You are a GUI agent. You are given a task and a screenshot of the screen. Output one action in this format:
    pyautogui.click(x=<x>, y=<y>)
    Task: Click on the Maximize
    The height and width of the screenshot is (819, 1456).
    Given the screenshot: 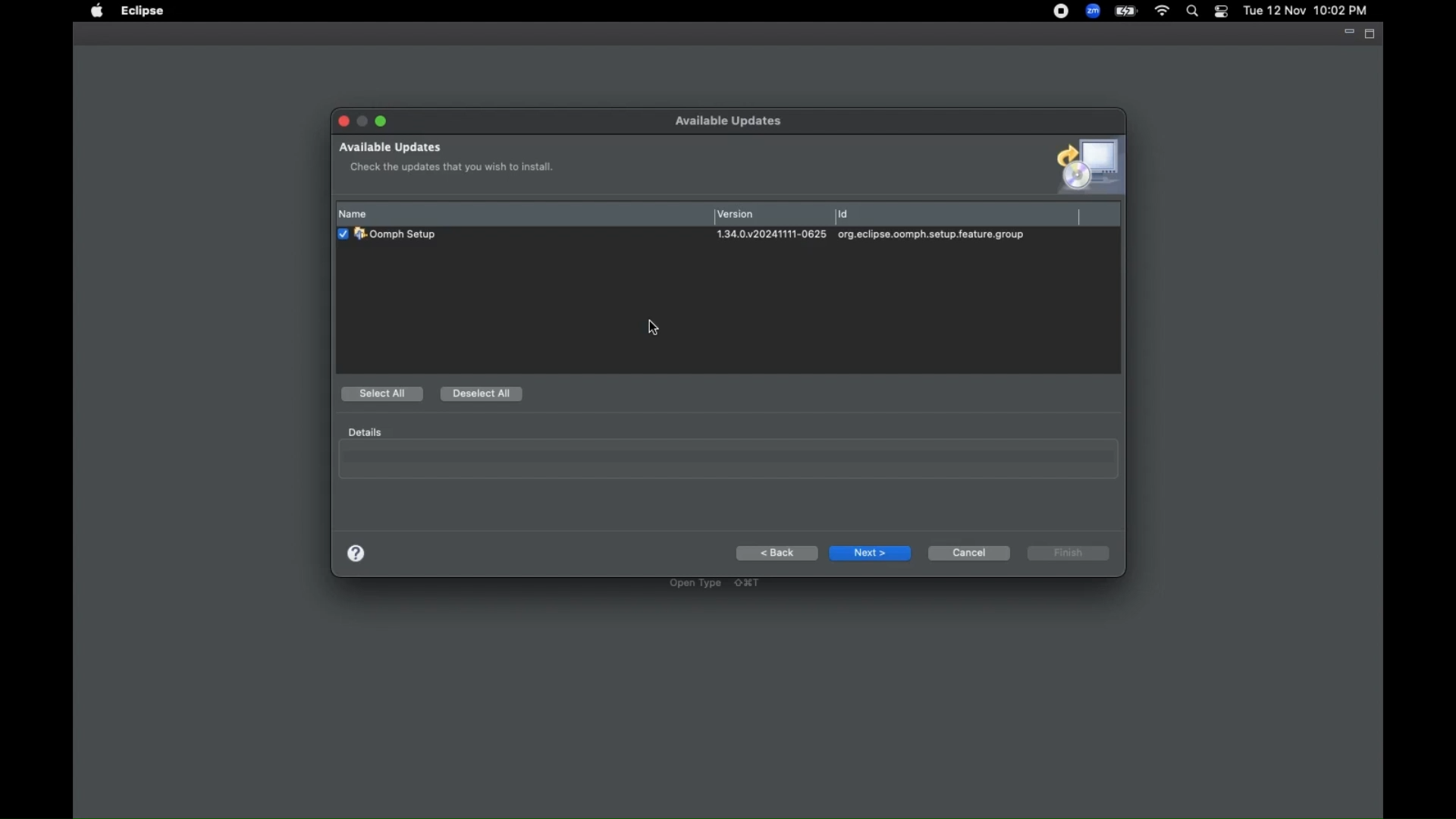 What is the action you would take?
    pyautogui.click(x=380, y=122)
    